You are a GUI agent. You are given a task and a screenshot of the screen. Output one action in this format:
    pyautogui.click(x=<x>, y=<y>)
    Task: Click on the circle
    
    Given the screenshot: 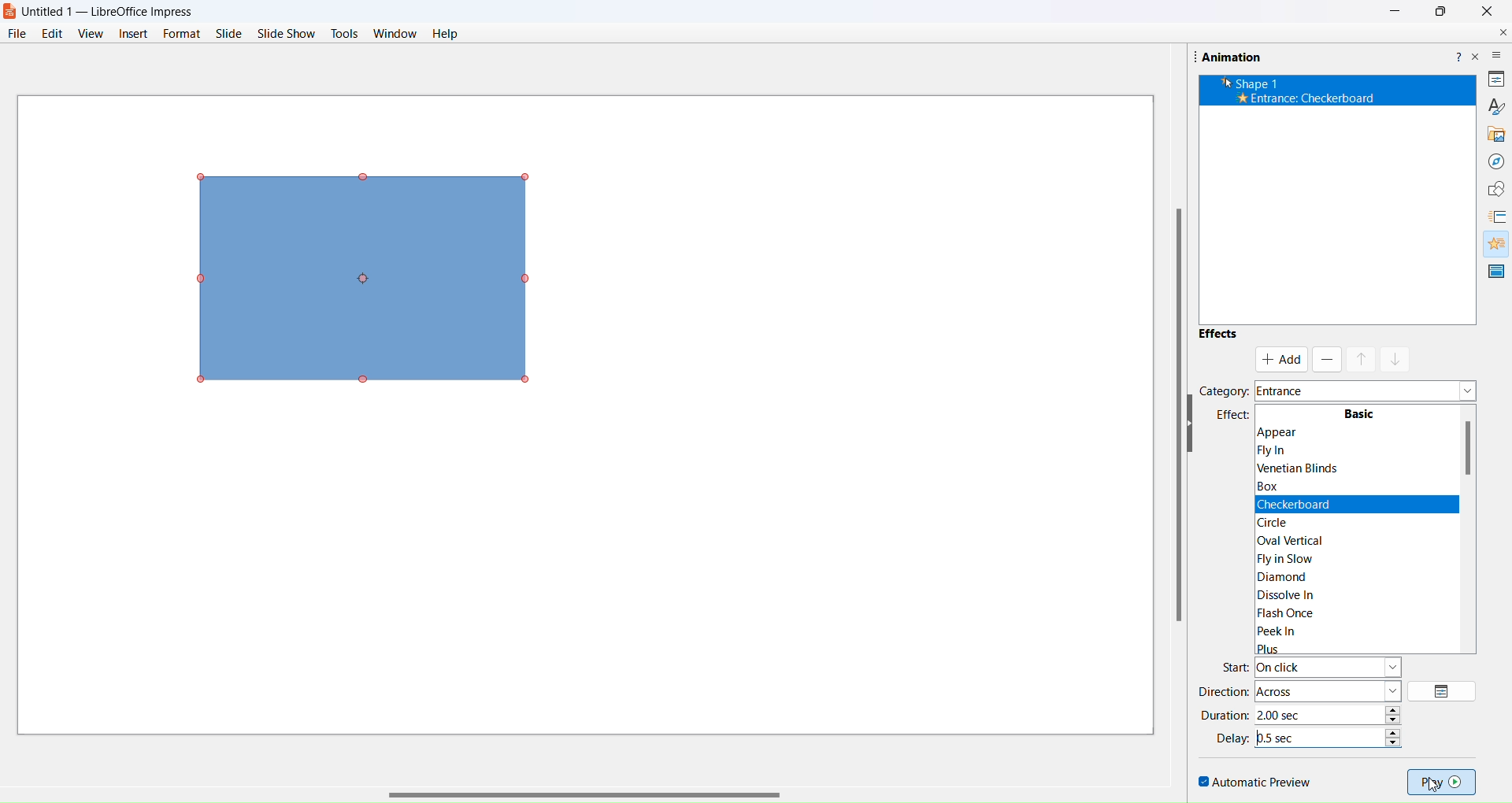 What is the action you would take?
    pyautogui.click(x=1287, y=520)
    